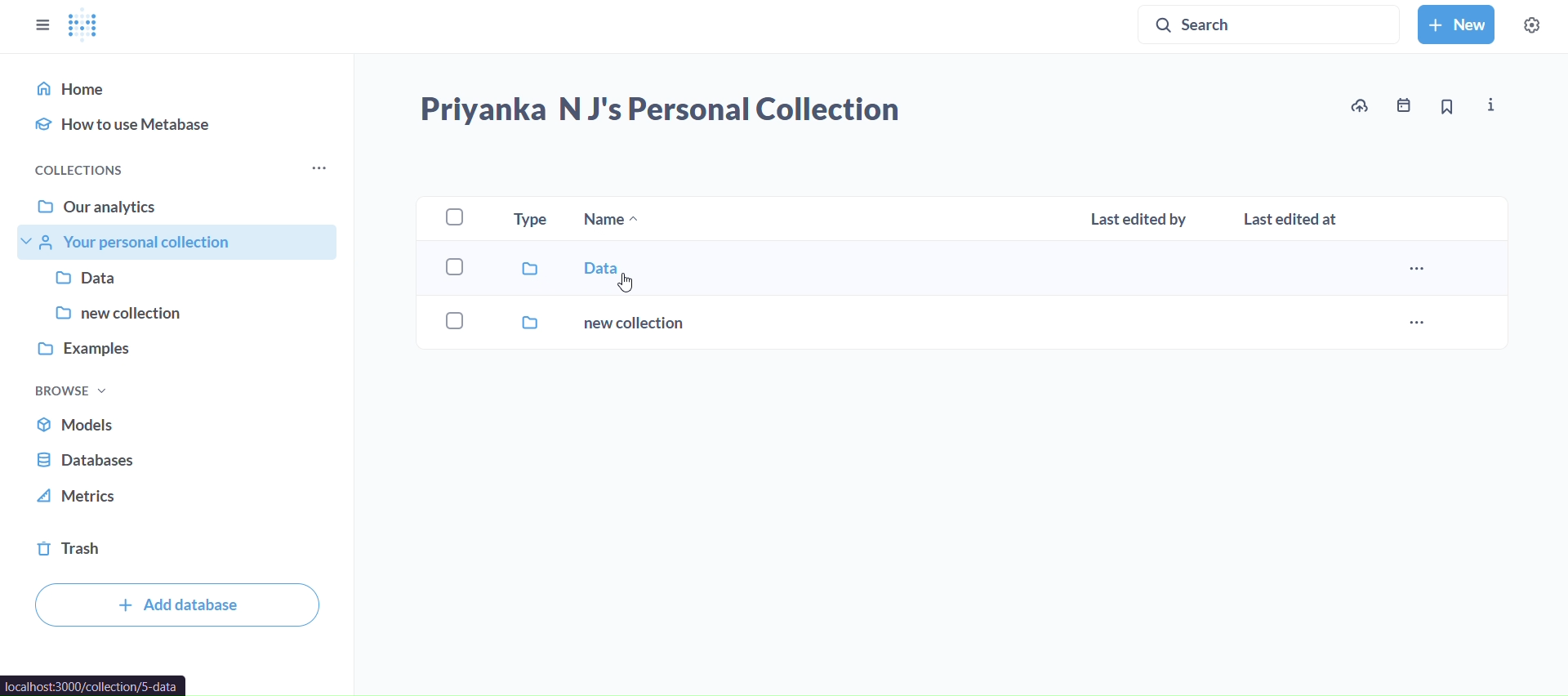  I want to click on search , so click(1270, 27).